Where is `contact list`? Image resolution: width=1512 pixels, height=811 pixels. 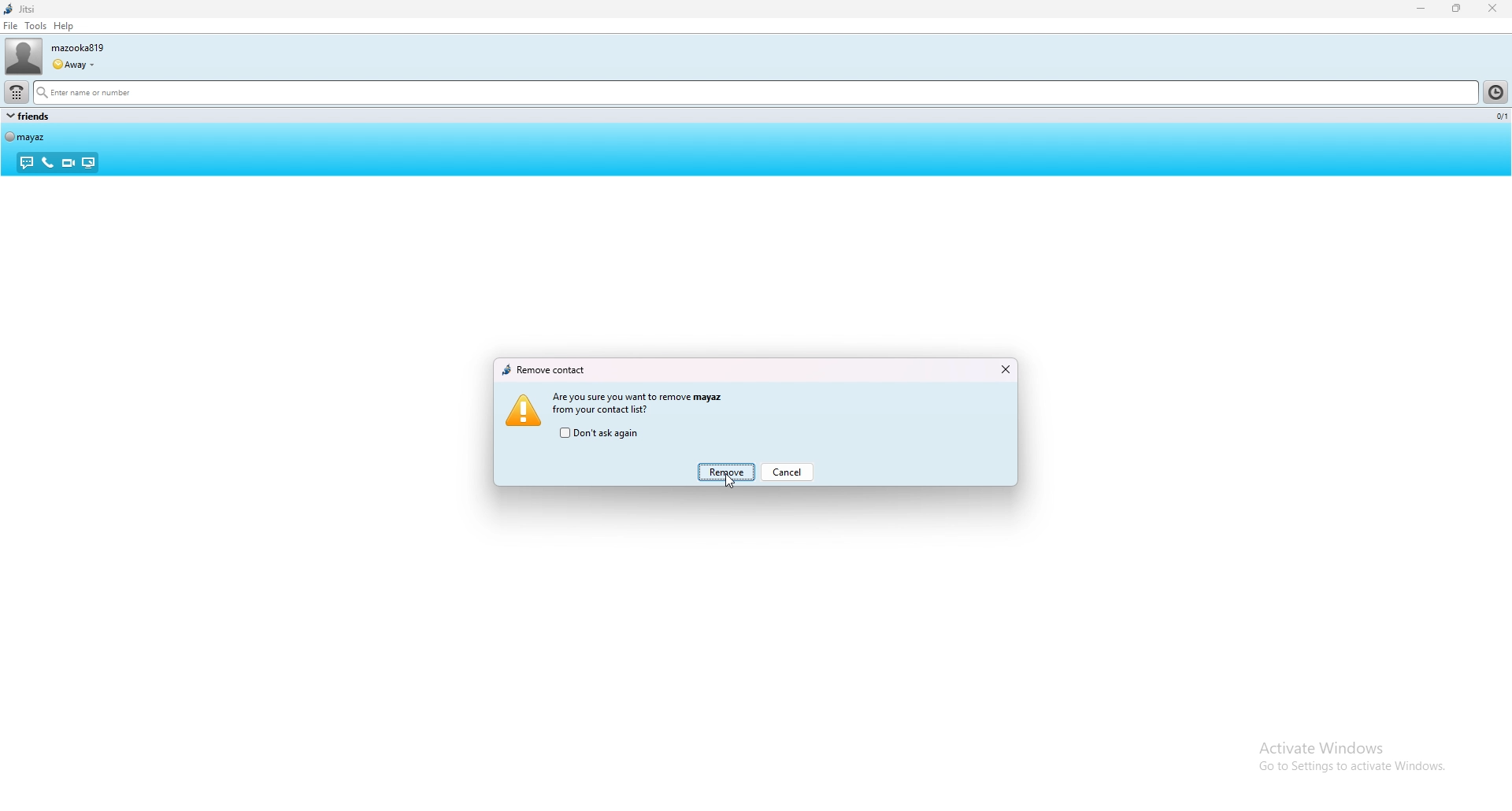
contact list is located at coordinates (1495, 93).